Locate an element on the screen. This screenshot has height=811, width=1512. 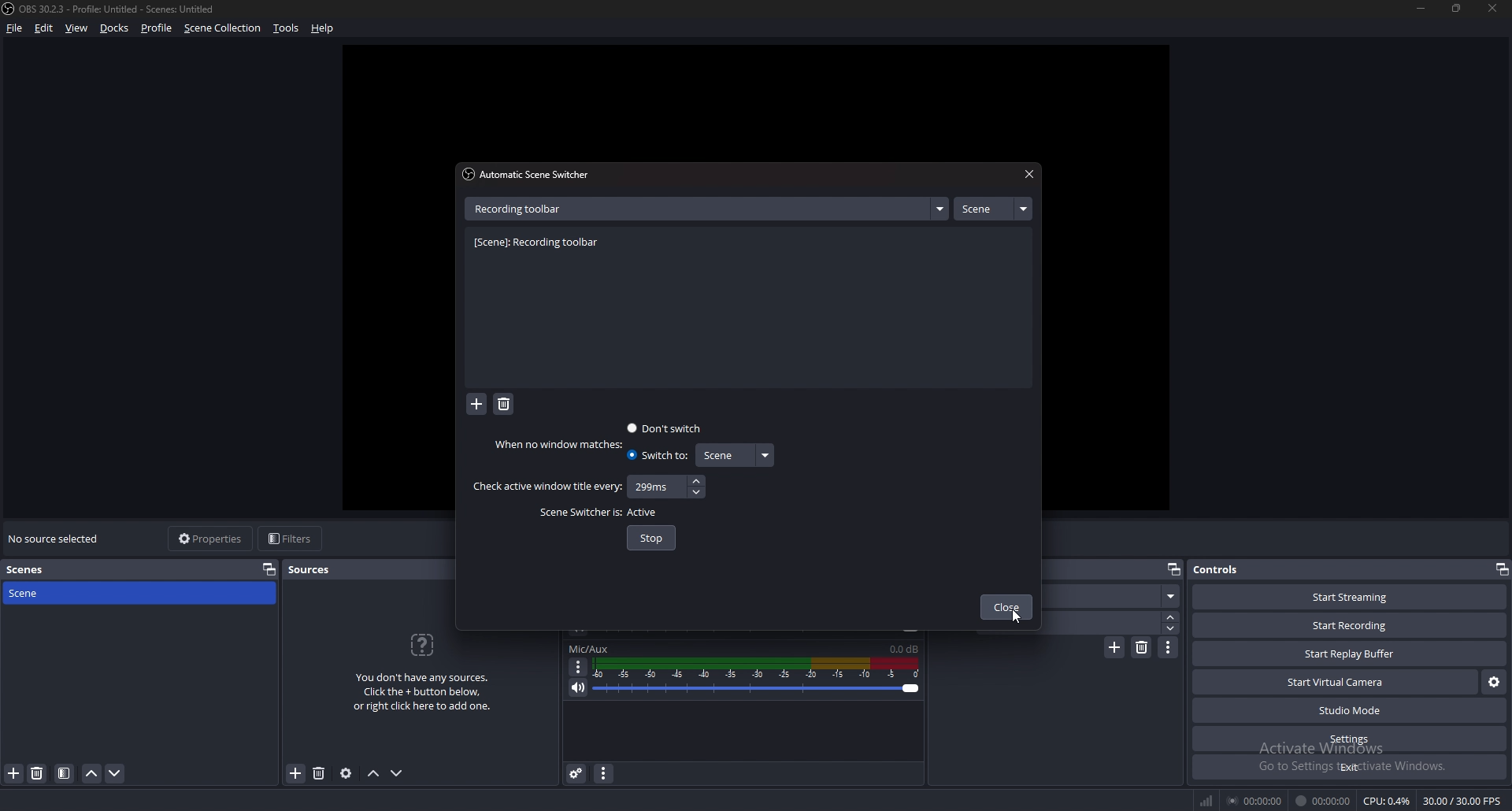
exit is located at coordinates (1350, 767).